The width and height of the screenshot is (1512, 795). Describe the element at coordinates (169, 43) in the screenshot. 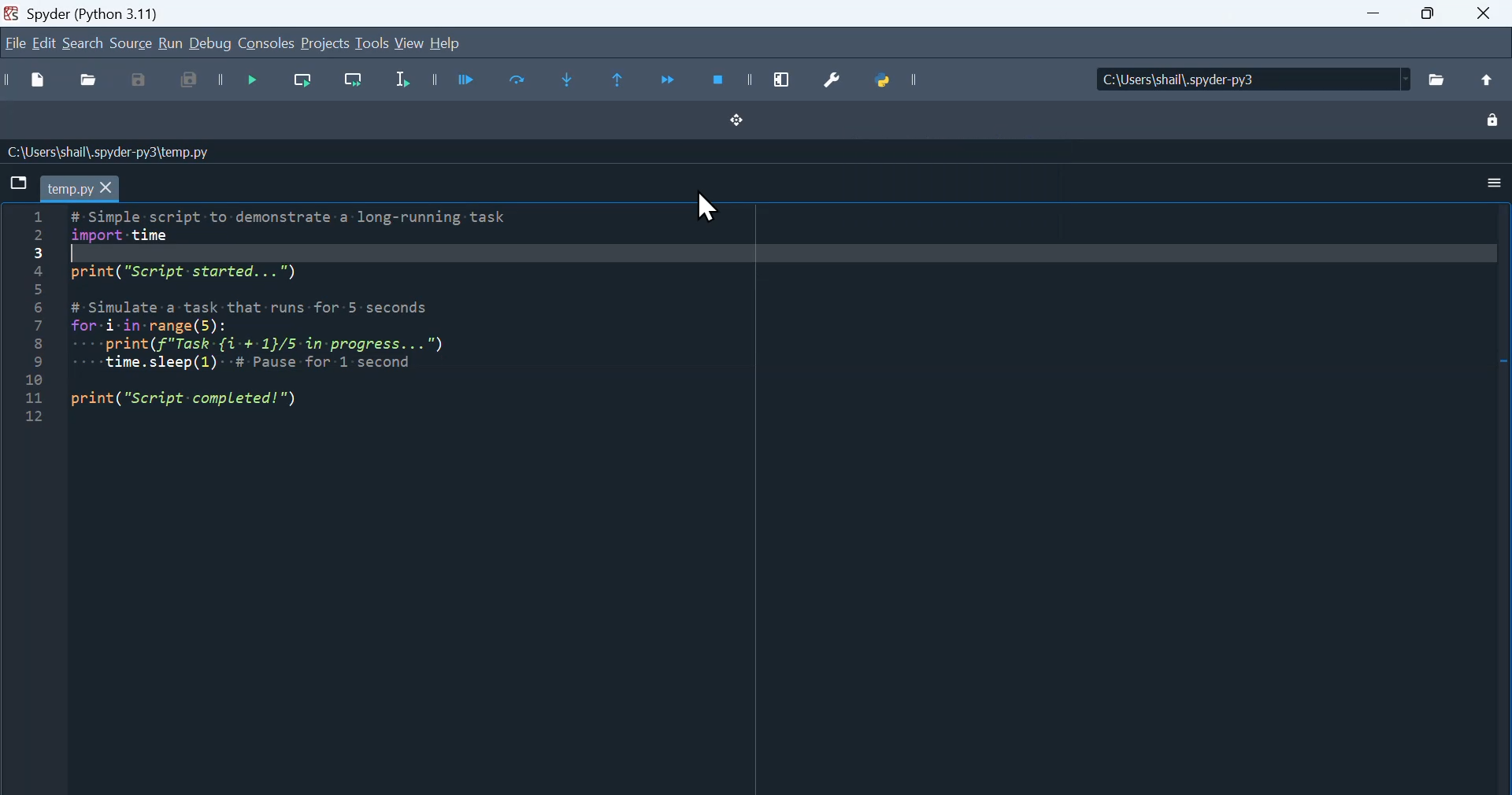

I see `run` at that location.